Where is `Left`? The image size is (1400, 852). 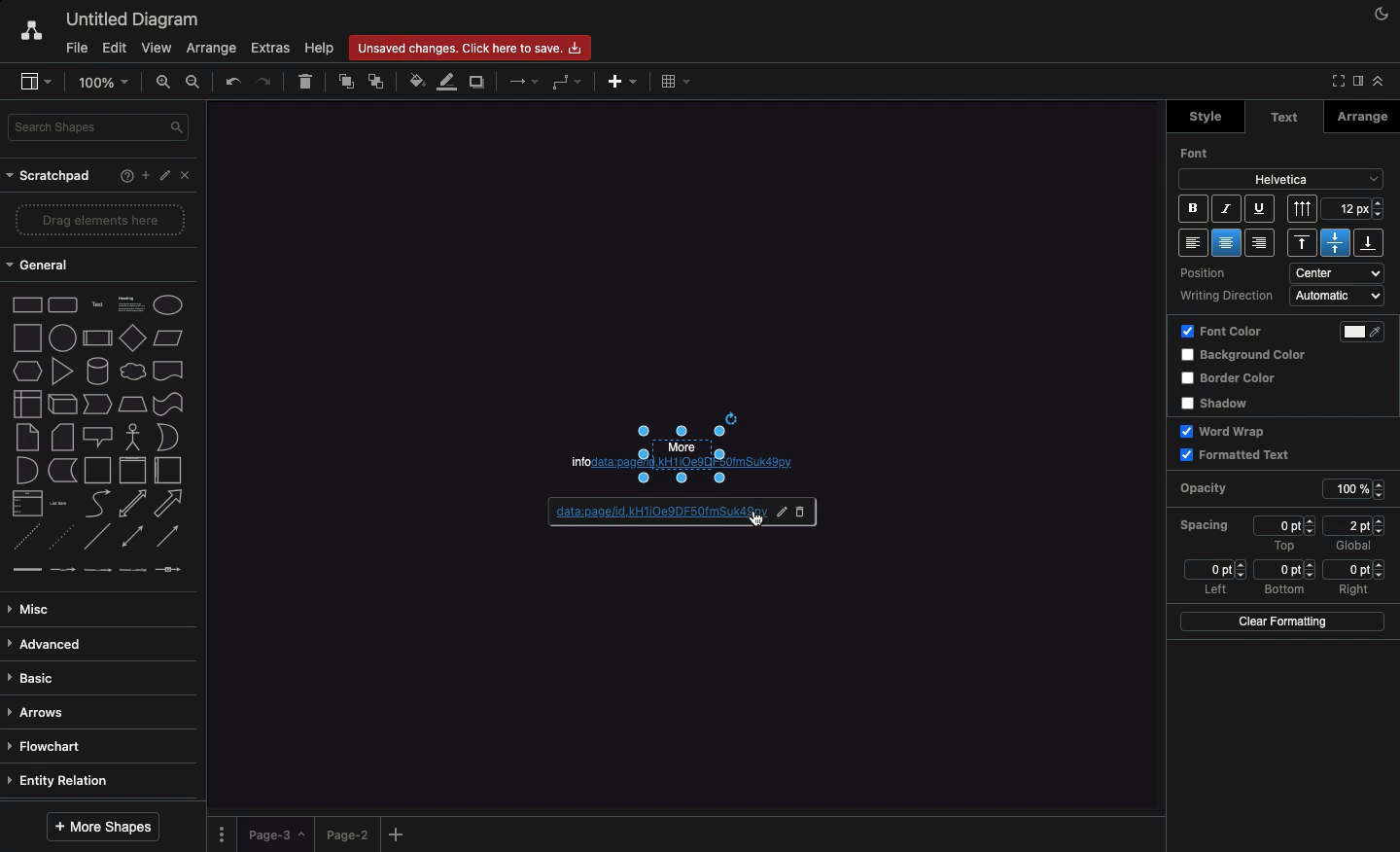
Left is located at coordinates (1214, 590).